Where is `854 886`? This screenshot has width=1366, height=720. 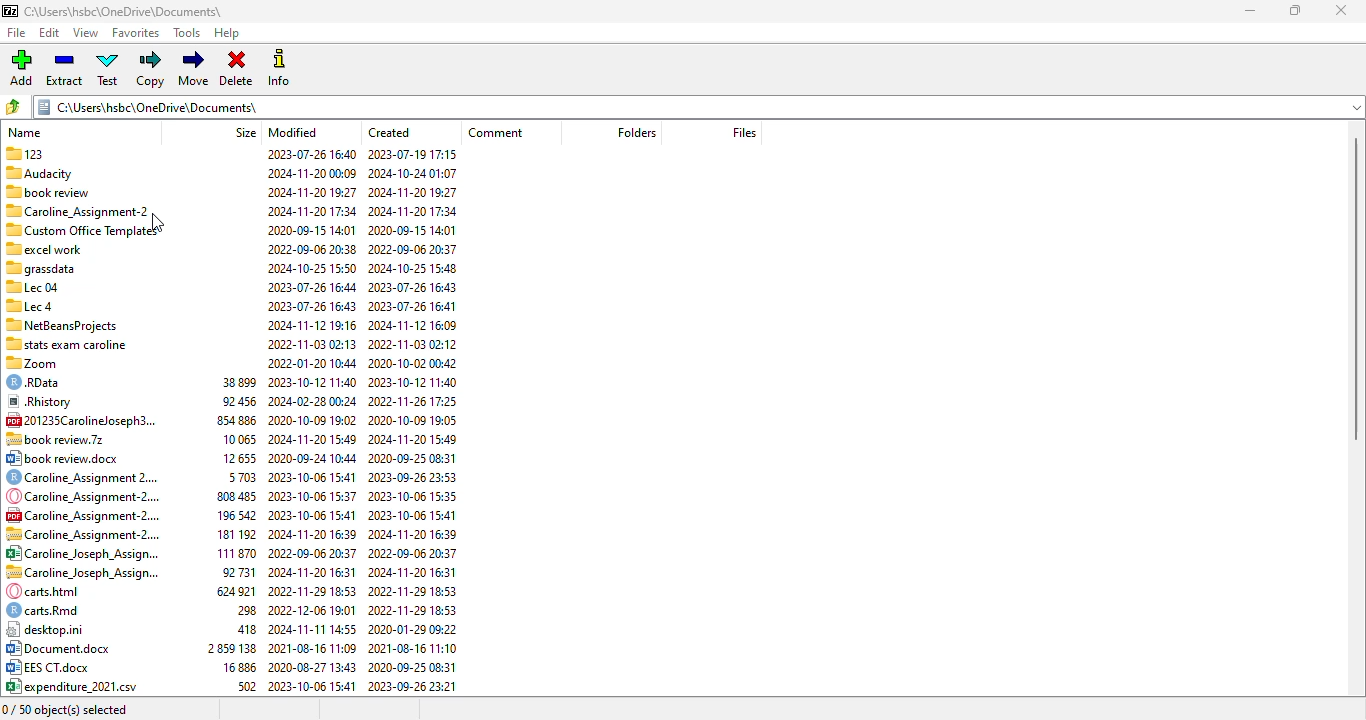
854 886 is located at coordinates (237, 421).